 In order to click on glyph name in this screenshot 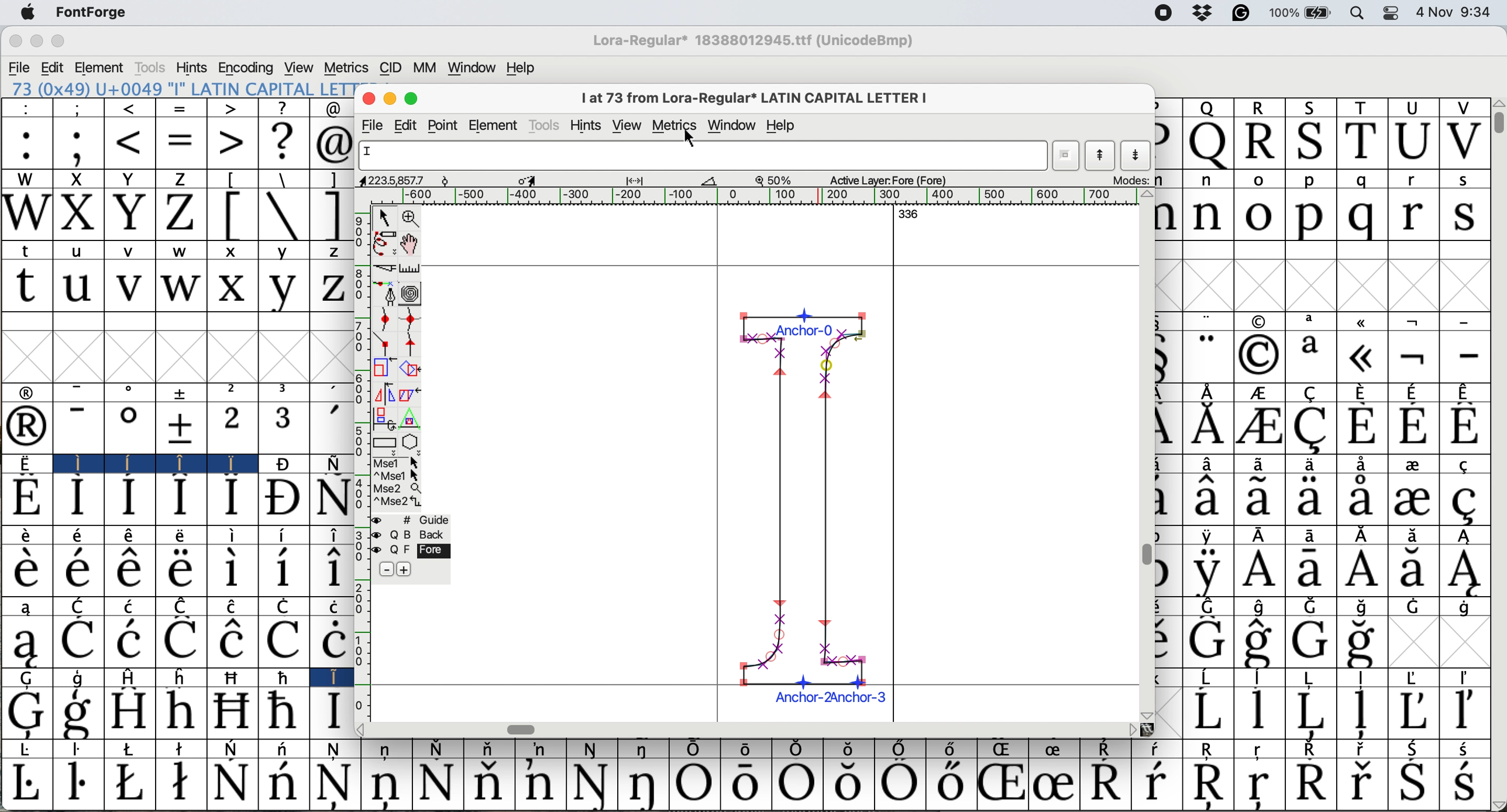, I will do `click(701, 155)`.